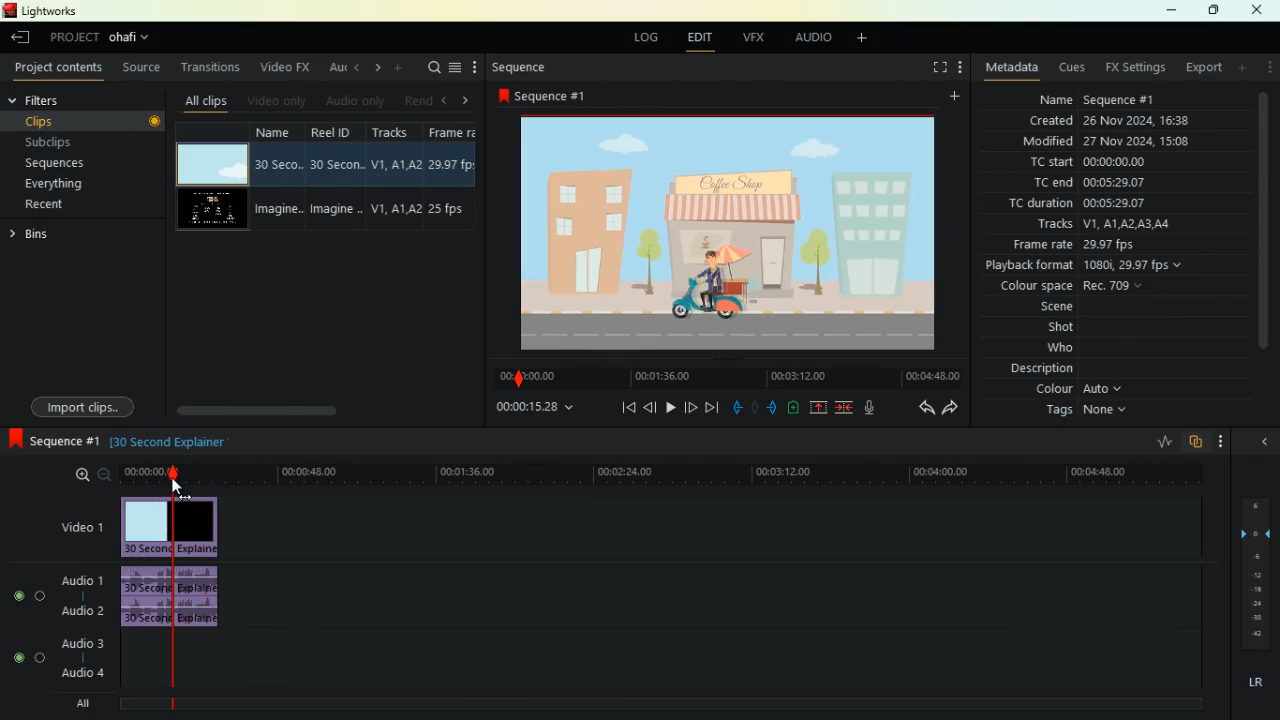 The width and height of the screenshot is (1280, 720). Describe the element at coordinates (1013, 65) in the screenshot. I see `metadata` at that location.